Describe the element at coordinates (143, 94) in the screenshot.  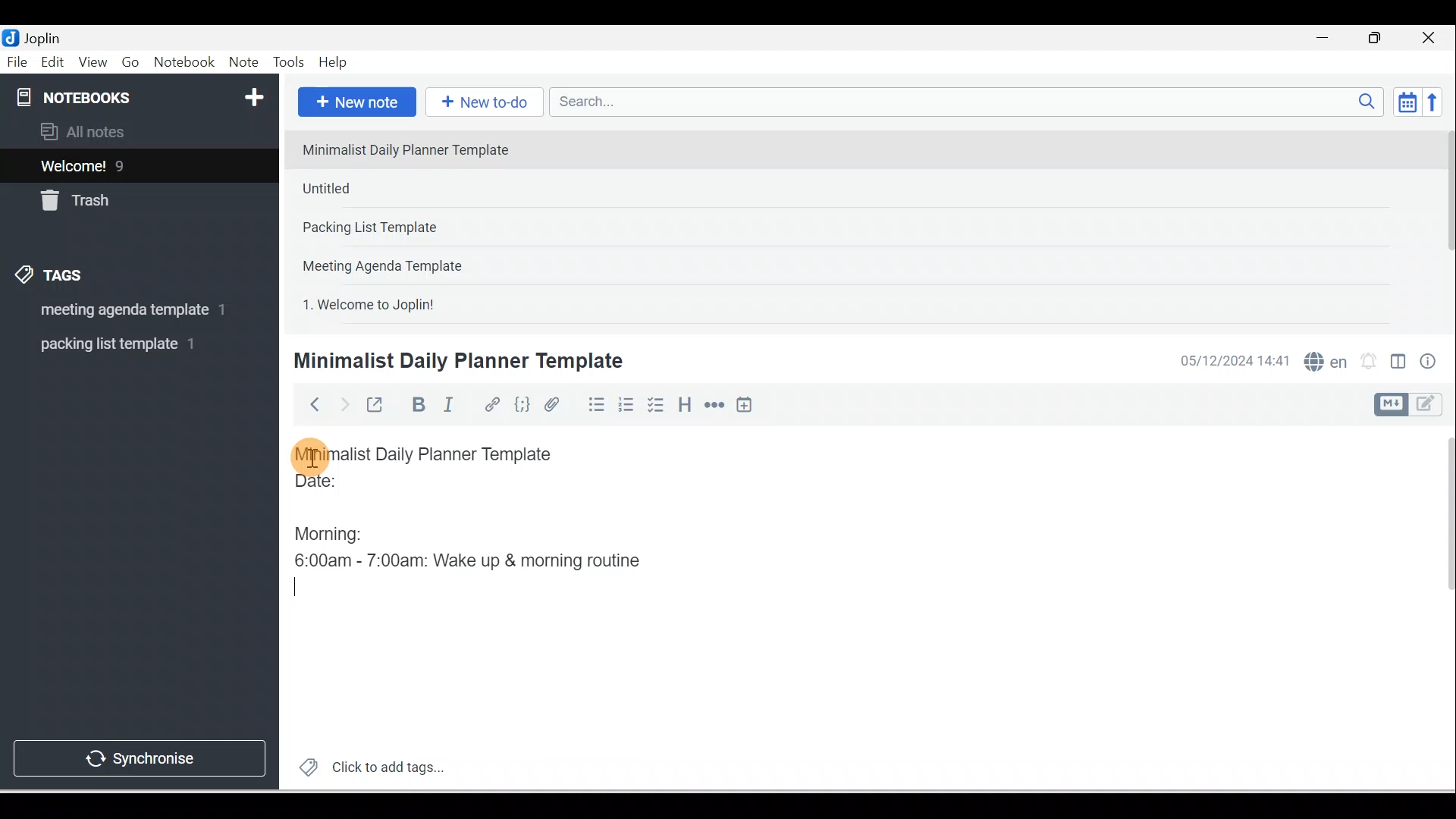
I see `Notebooks` at that location.